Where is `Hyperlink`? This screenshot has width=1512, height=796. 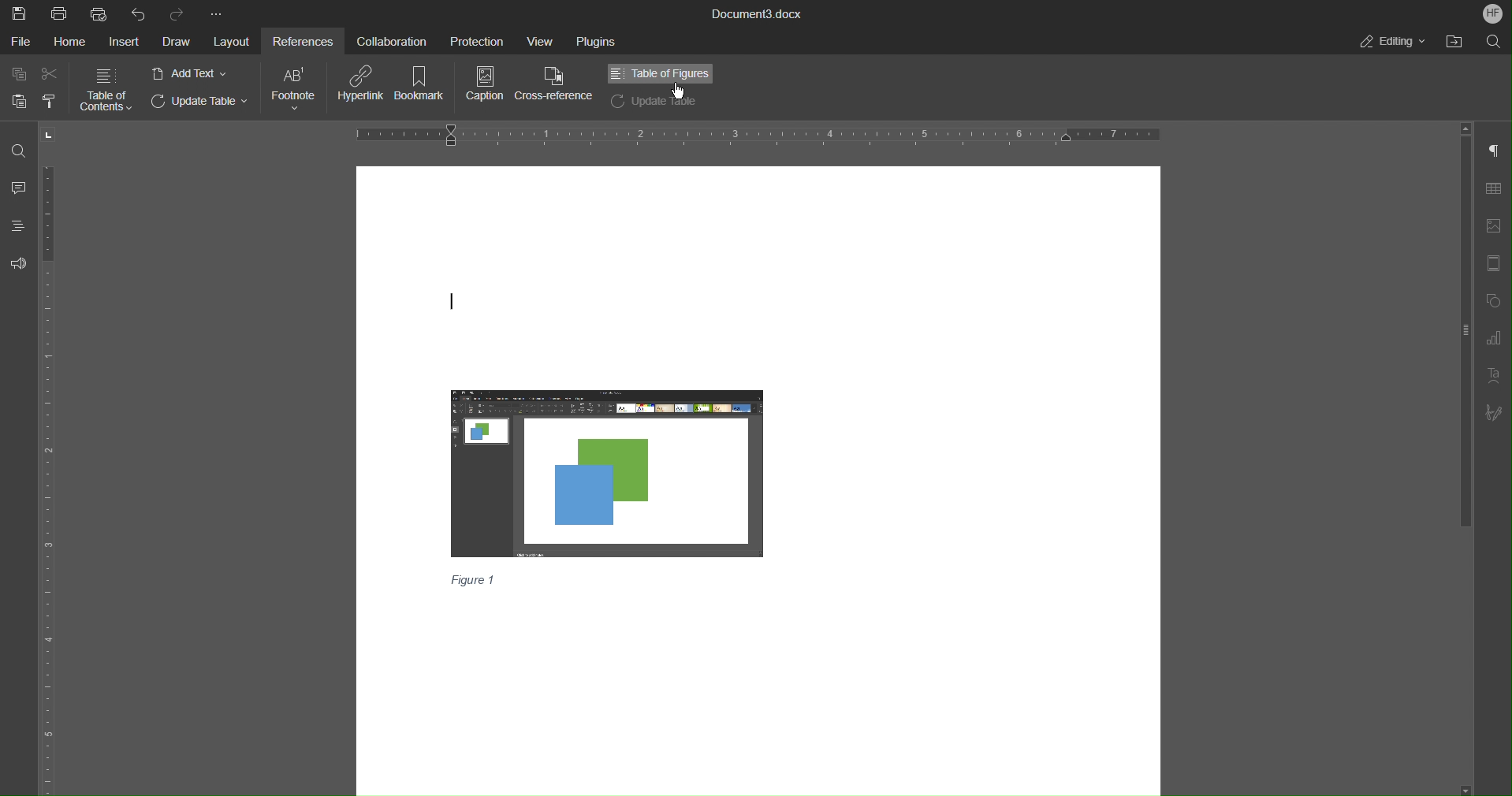 Hyperlink is located at coordinates (363, 85).